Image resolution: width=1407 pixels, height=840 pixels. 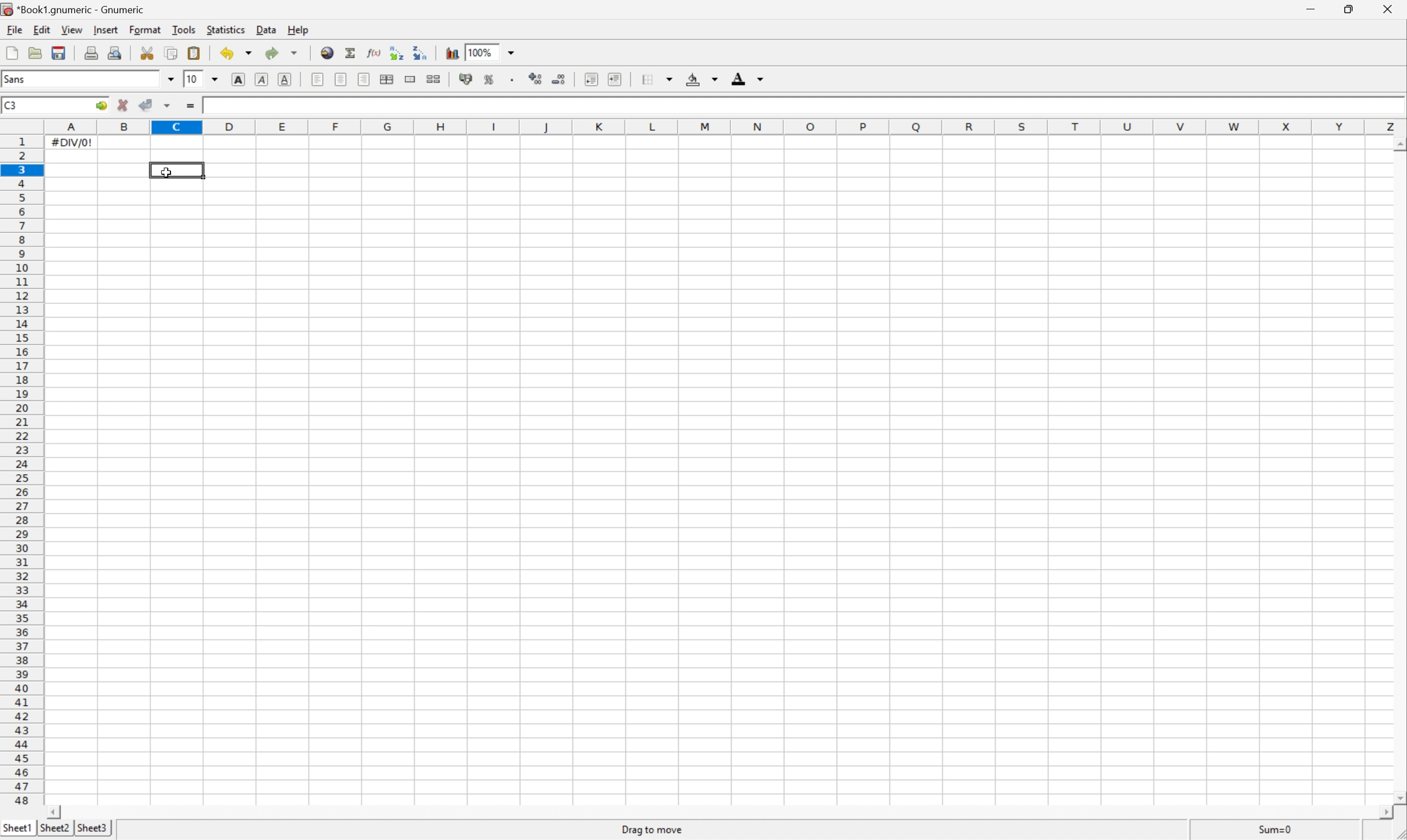 I want to click on 10, so click(x=196, y=79).